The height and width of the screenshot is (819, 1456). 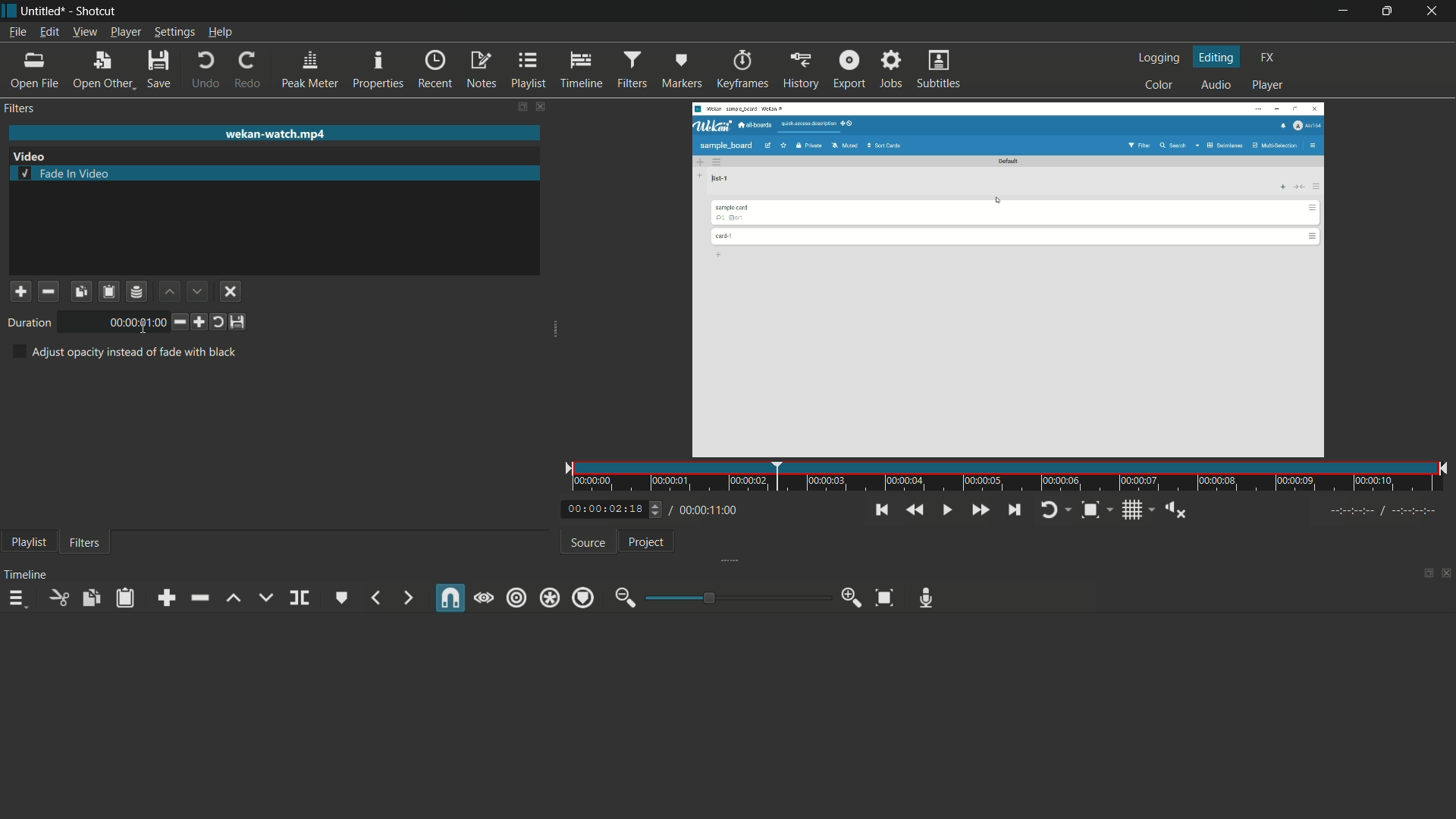 I want to click on open other, so click(x=102, y=68).